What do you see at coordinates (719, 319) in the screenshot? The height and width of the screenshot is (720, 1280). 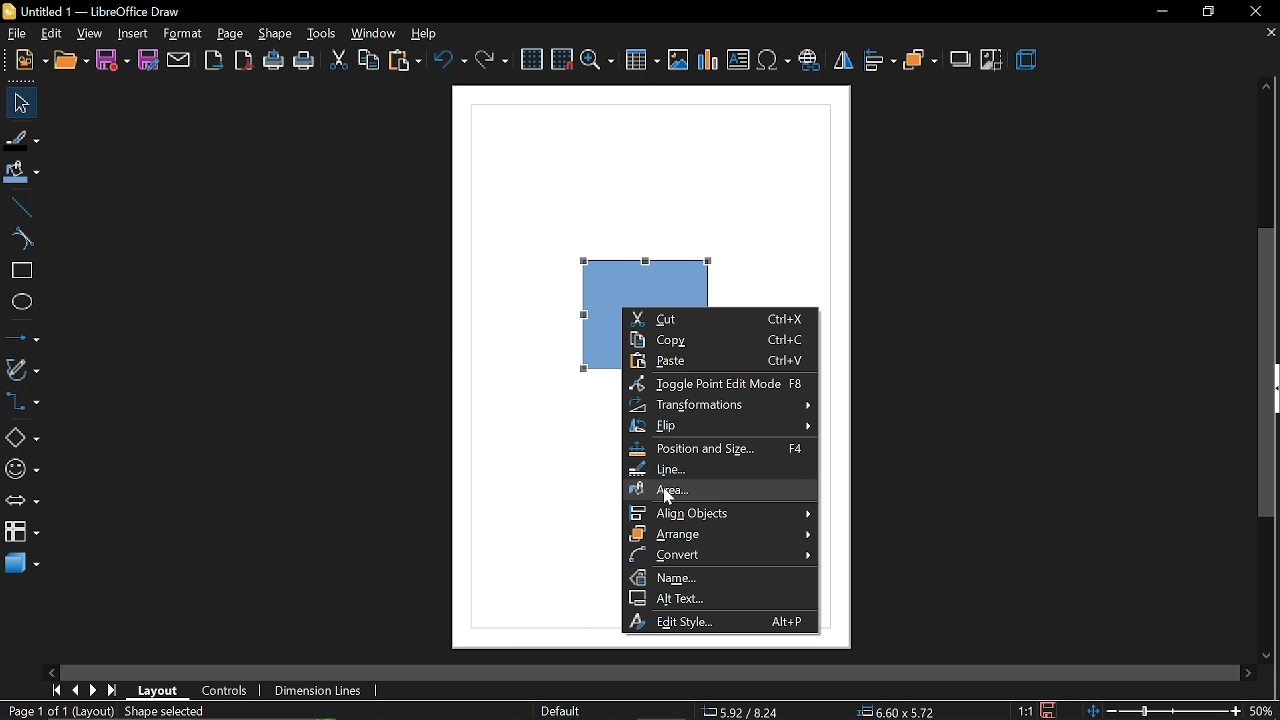 I see `cut` at bounding box center [719, 319].